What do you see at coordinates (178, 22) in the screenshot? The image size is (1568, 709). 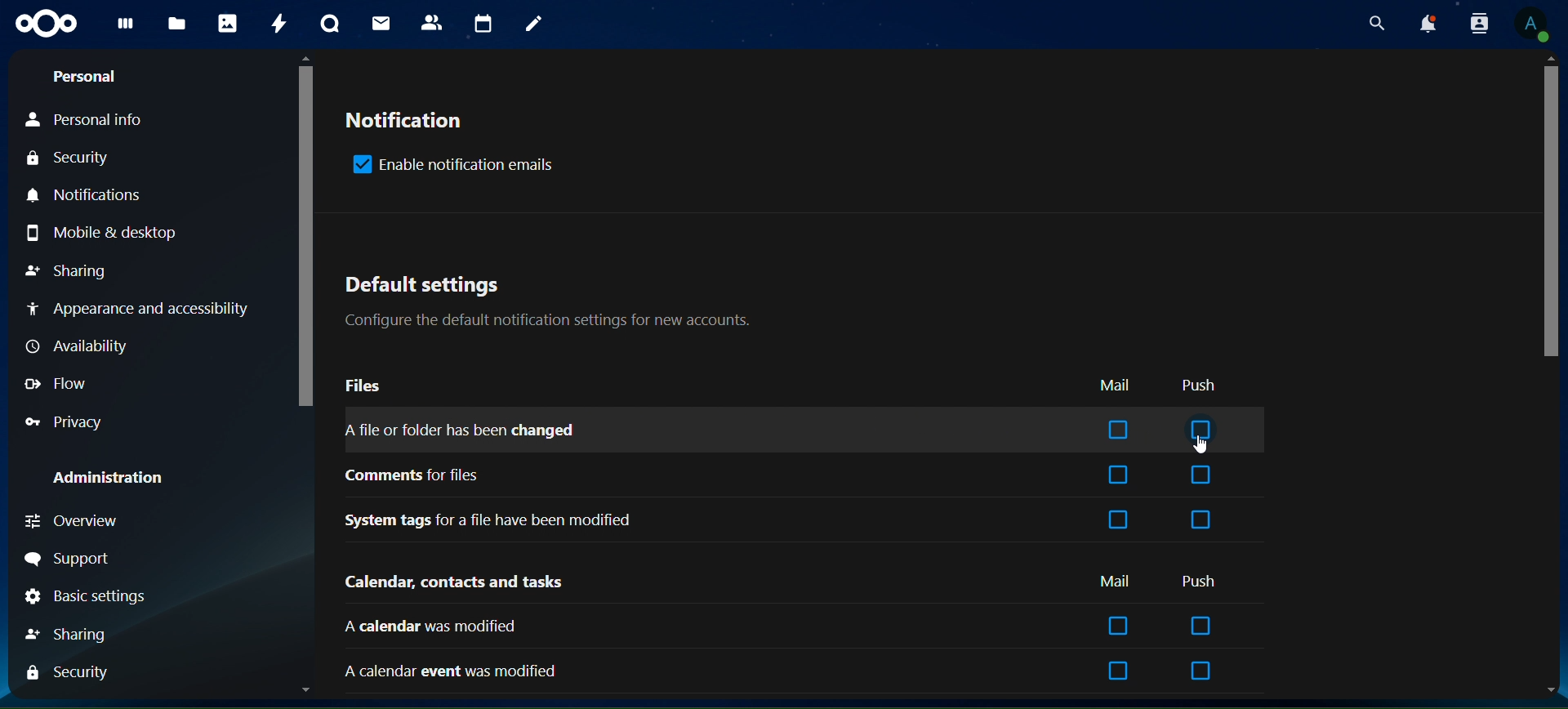 I see `files` at bounding box center [178, 22].